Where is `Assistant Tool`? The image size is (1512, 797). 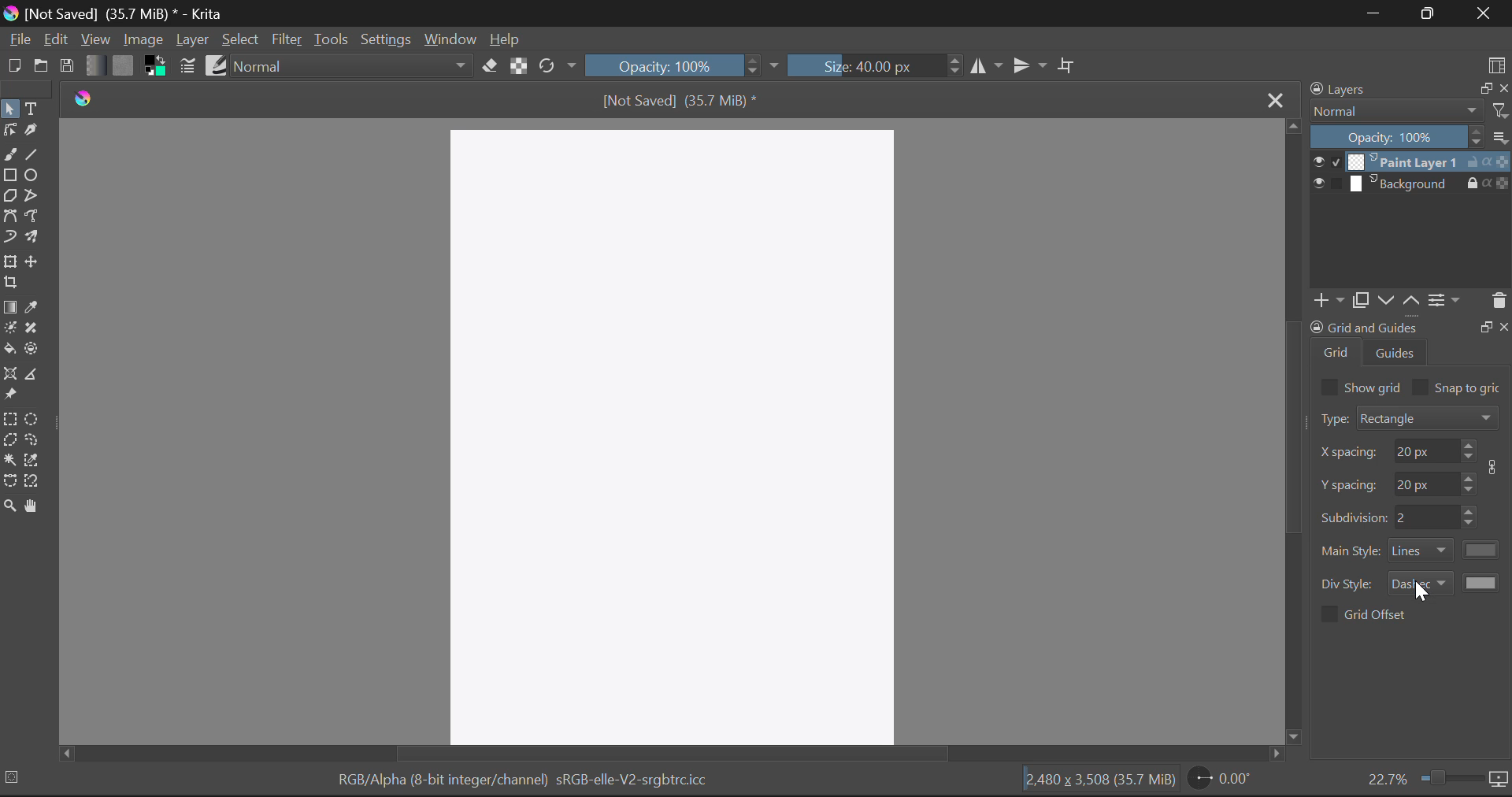 Assistant Tool is located at coordinates (11, 375).